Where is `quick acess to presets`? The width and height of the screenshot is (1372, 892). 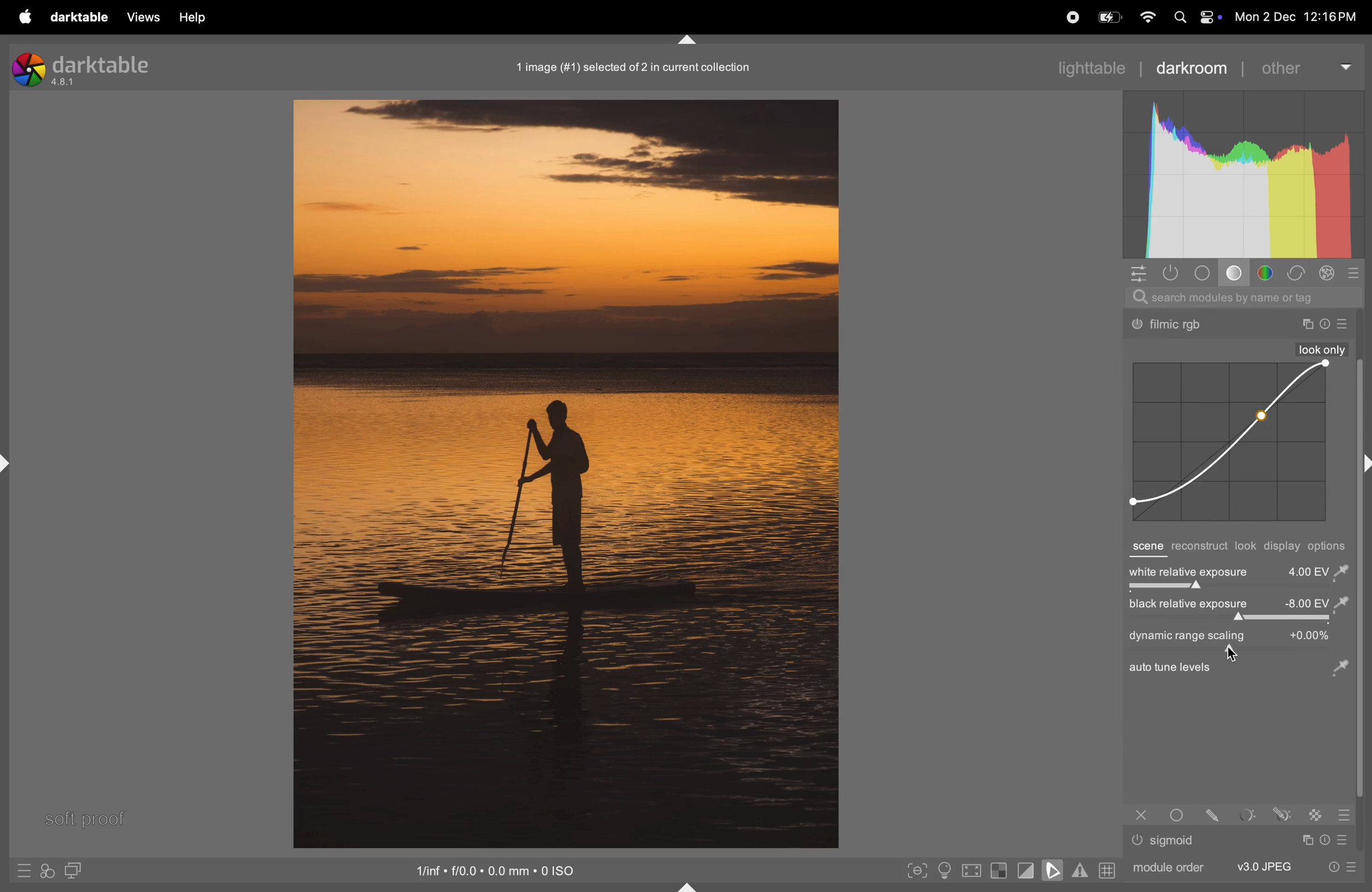
quick acess to presets is located at coordinates (1337, 866).